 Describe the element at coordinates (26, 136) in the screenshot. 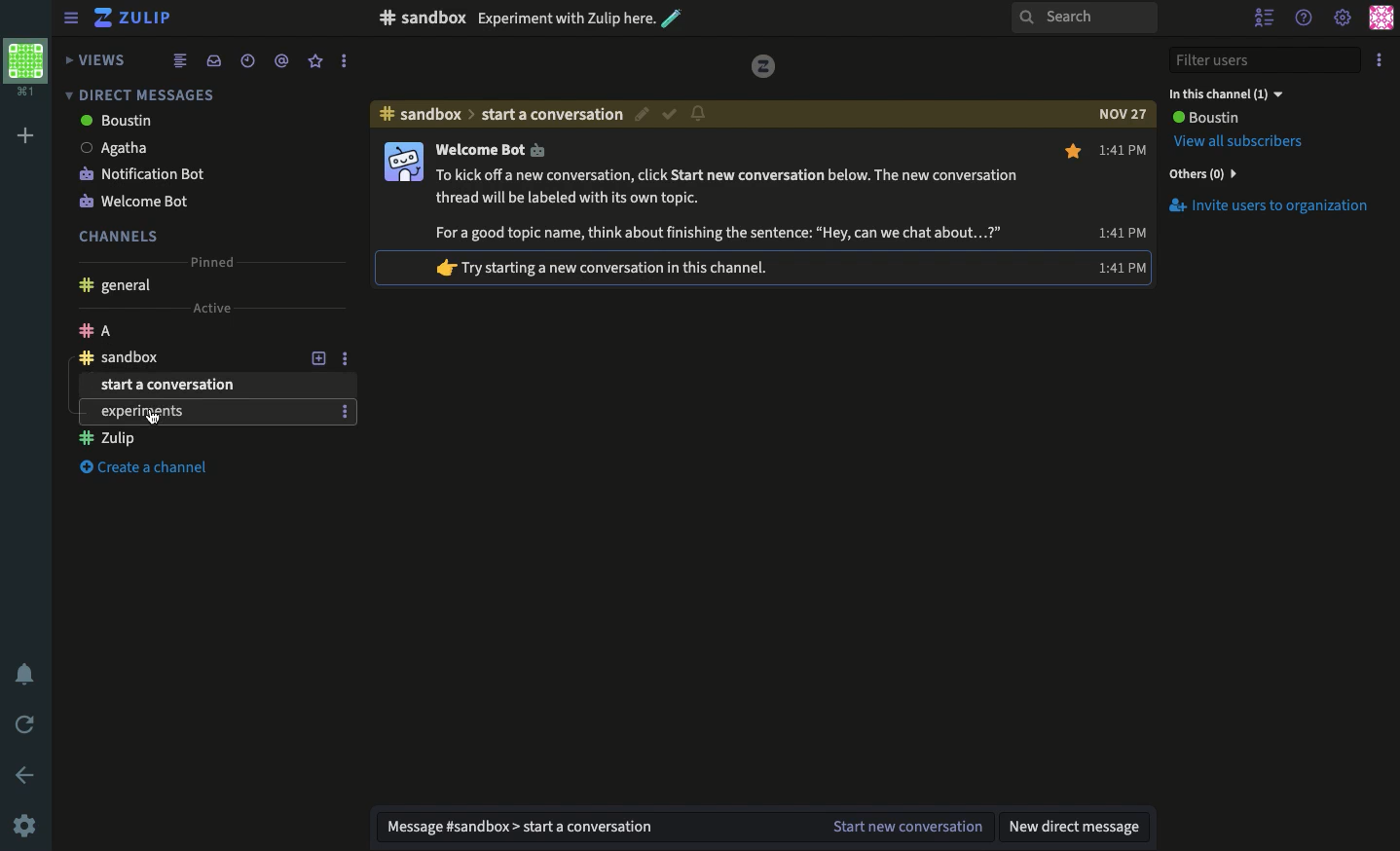

I see `Add` at that location.